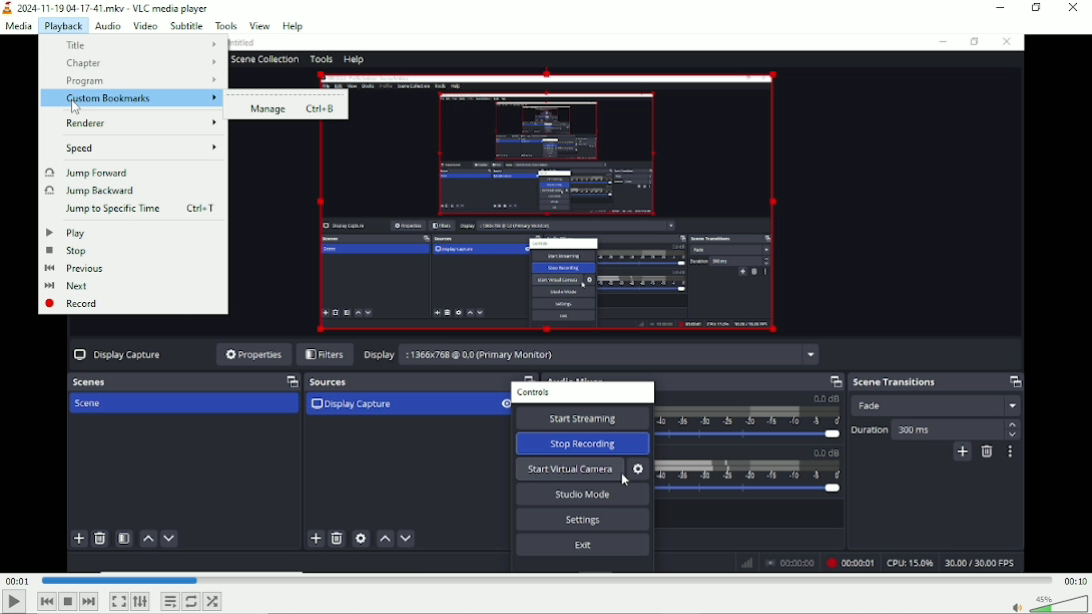  What do you see at coordinates (258, 26) in the screenshot?
I see `View` at bounding box center [258, 26].